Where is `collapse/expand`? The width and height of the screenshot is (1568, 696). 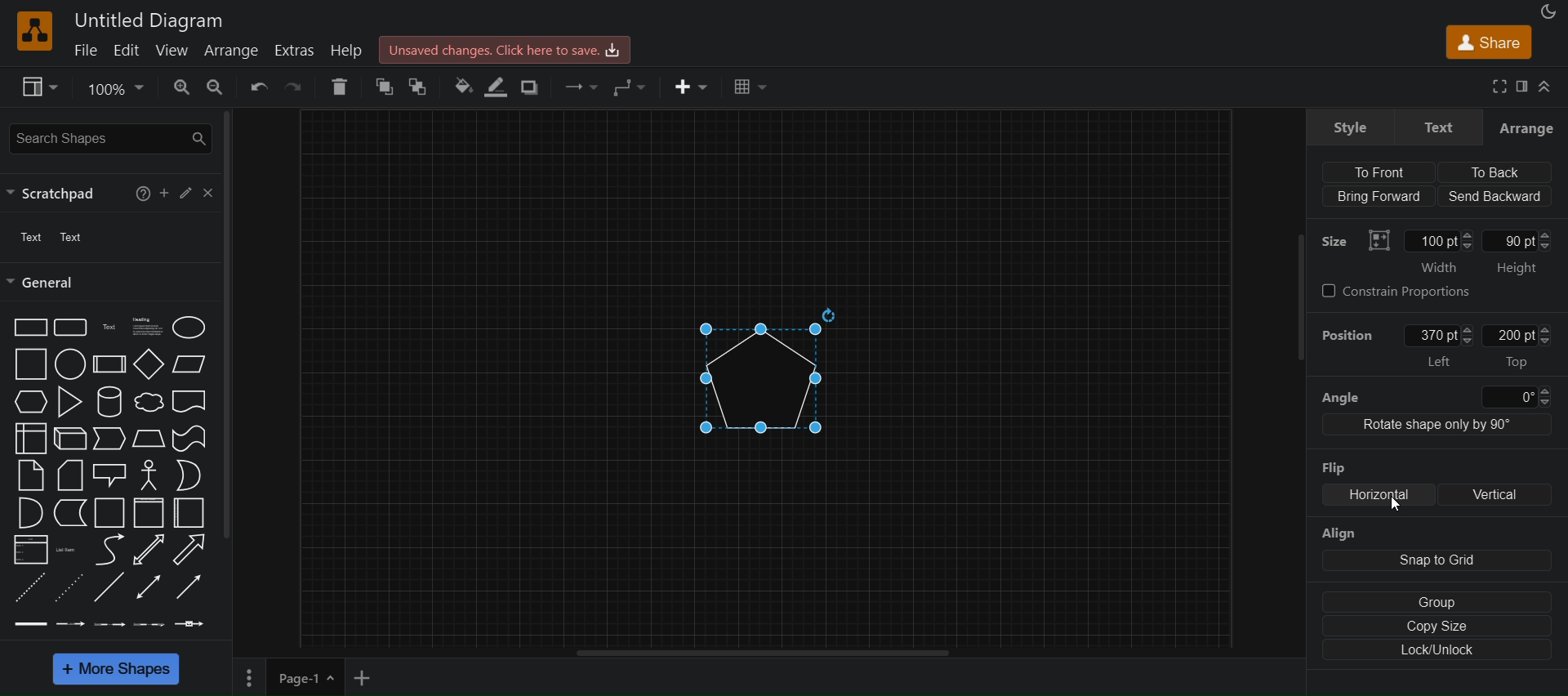 collapse/expand is located at coordinates (1546, 86).